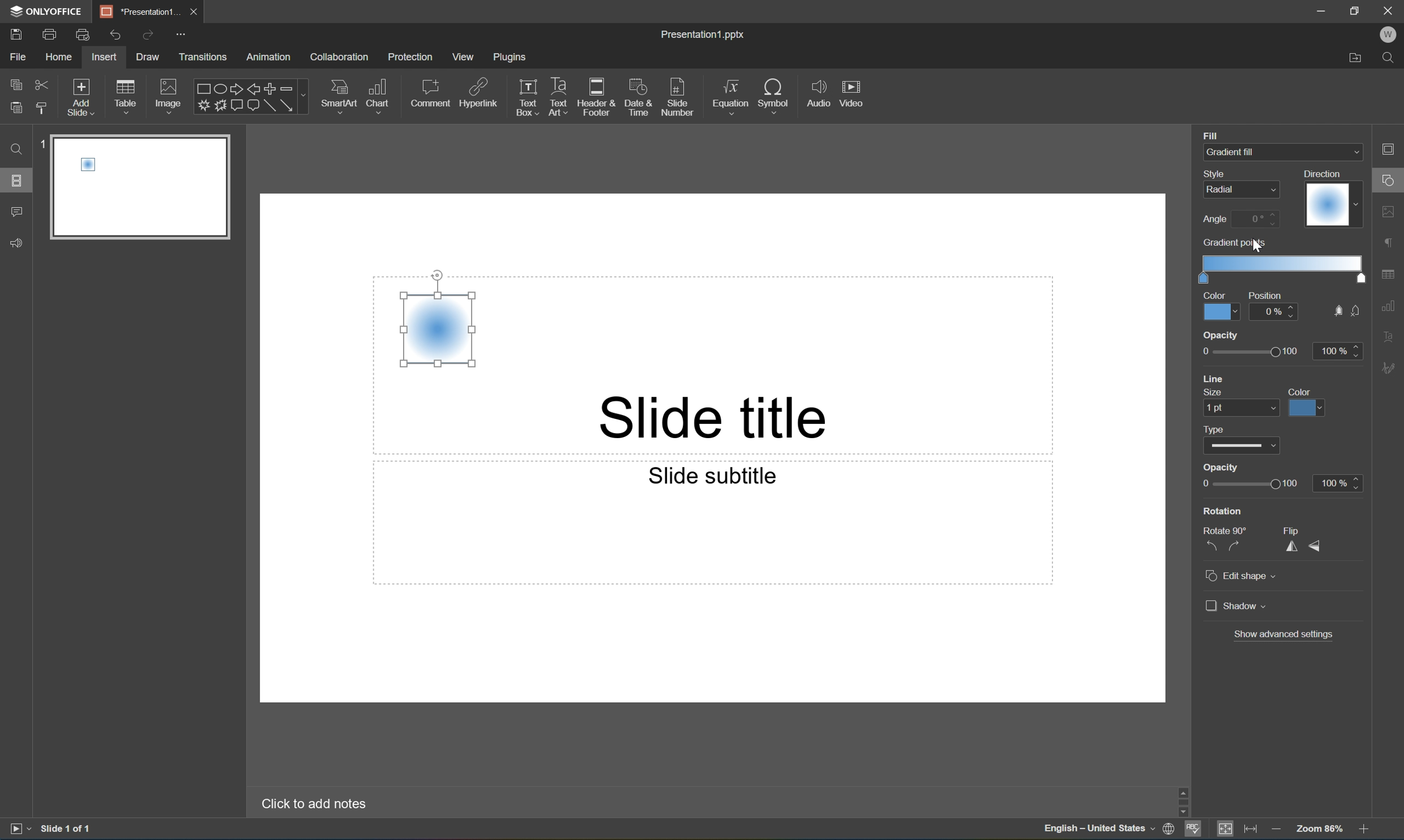 The width and height of the screenshot is (1404, 840). What do you see at coordinates (18, 213) in the screenshot?
I see `Comment` at bounding box center [18, 213].